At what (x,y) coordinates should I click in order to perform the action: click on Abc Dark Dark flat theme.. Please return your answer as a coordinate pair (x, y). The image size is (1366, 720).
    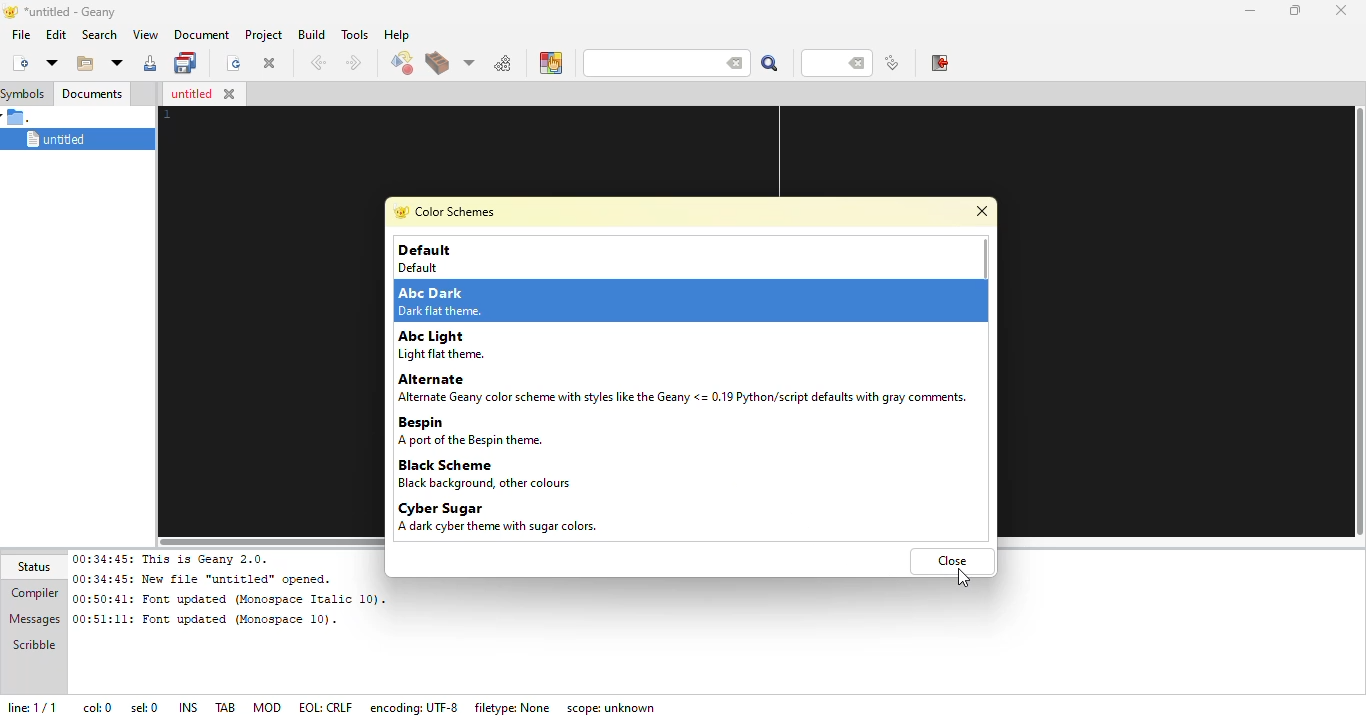
    Looking at the image, I should click on (464, 301).